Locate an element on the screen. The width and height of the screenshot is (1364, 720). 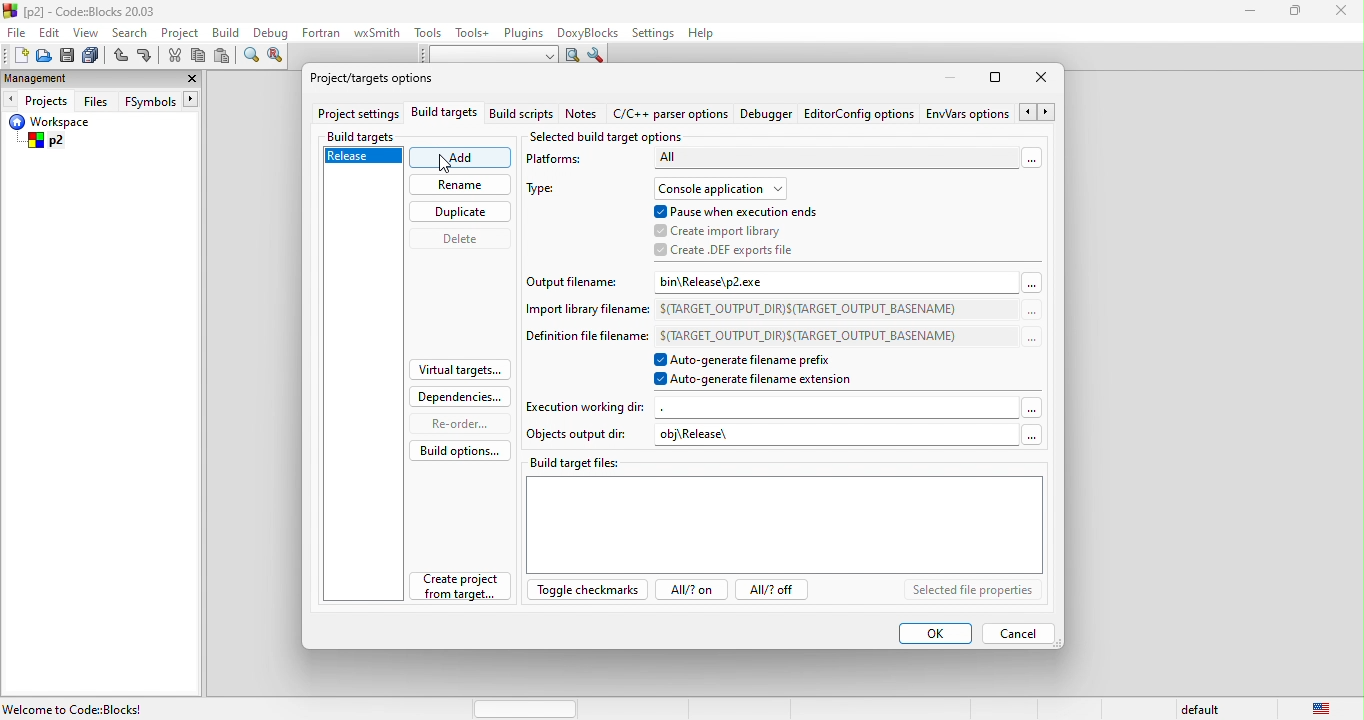
all? on is located at coordinates (695, 590).